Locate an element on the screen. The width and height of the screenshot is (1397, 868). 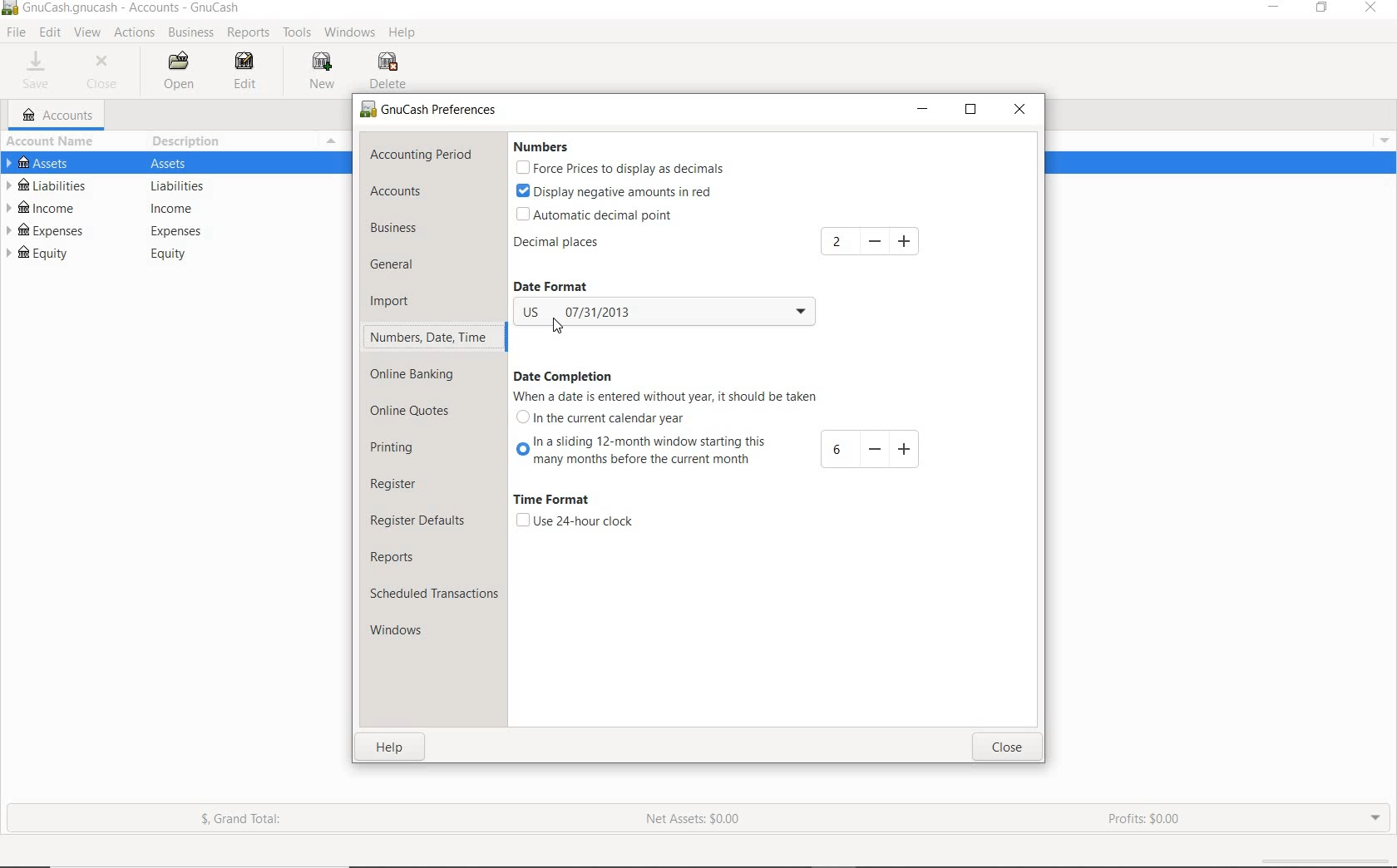
in the current calendar year is located at coordinates (602, 417).